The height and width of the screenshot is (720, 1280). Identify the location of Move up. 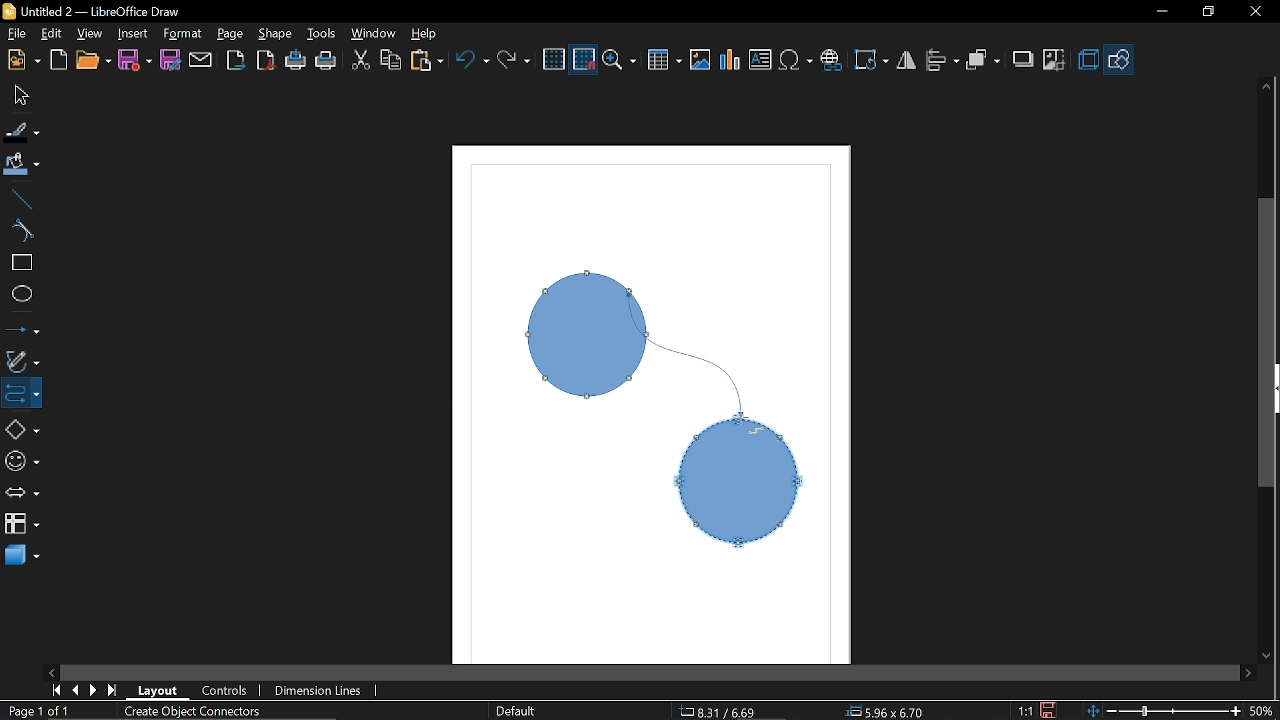
(1267, 86).